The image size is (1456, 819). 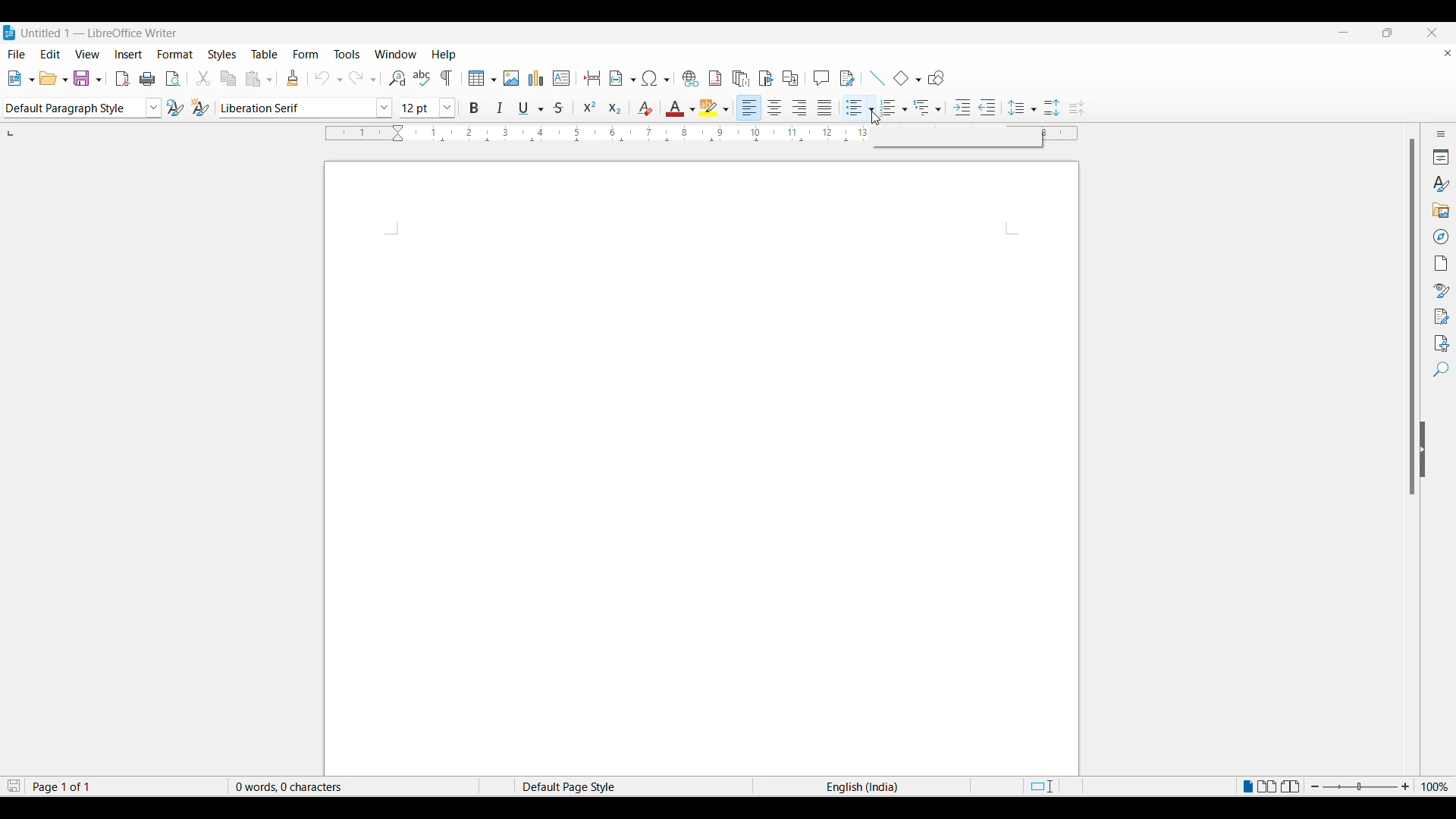 What do you see at coordinates (20, 78) in the screenshot?
I see `new document` at bounding box center [20, 78].